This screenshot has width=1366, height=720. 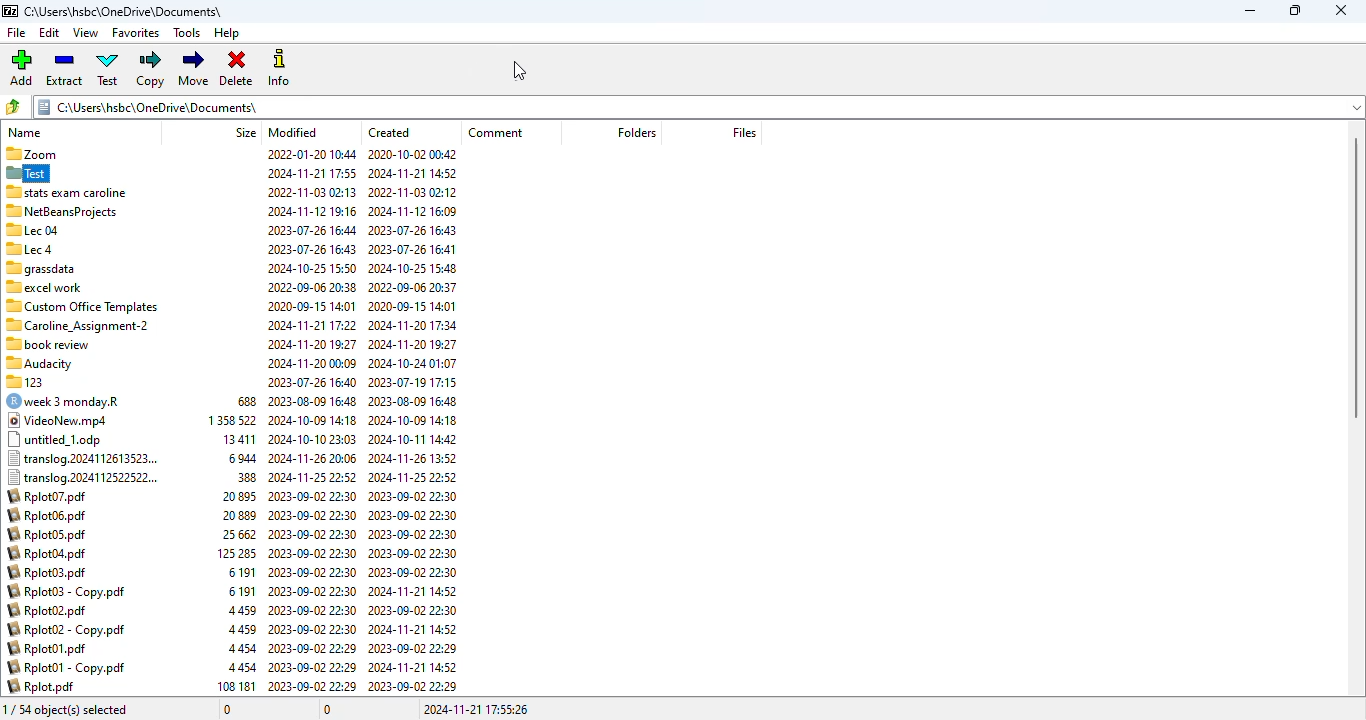 What do you see at coordinates (243, 648) in the screenshot?
I see `4 454` at bounding box center [243, 648].